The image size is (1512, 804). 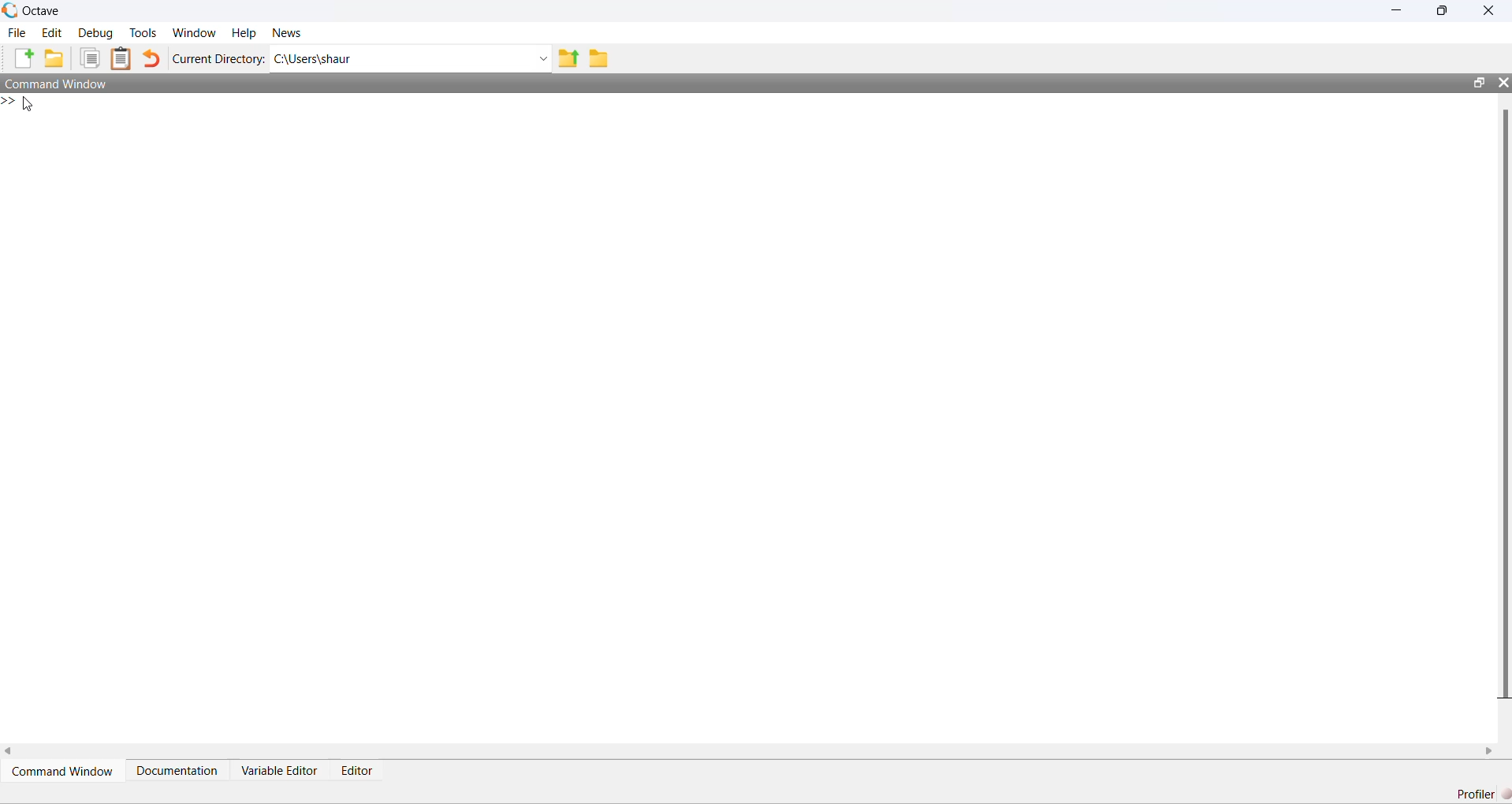 What do you see at coordinates (177, 769) in the screenshot?
I see `Documentation` at bounding box center [177, 769].